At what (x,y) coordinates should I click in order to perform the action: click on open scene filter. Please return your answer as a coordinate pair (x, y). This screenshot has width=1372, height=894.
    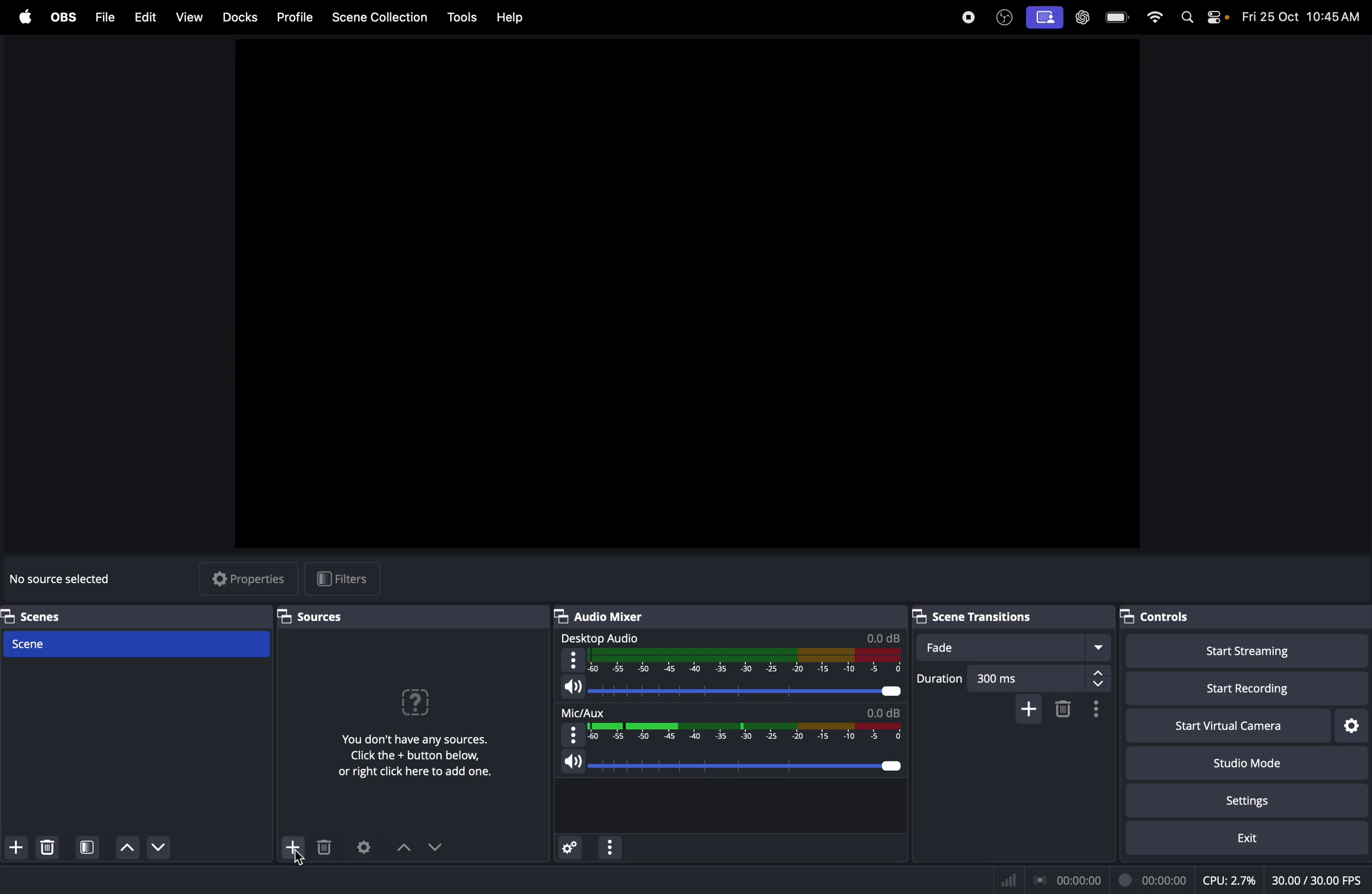
    Looking at the image, I should click on (89, 847).